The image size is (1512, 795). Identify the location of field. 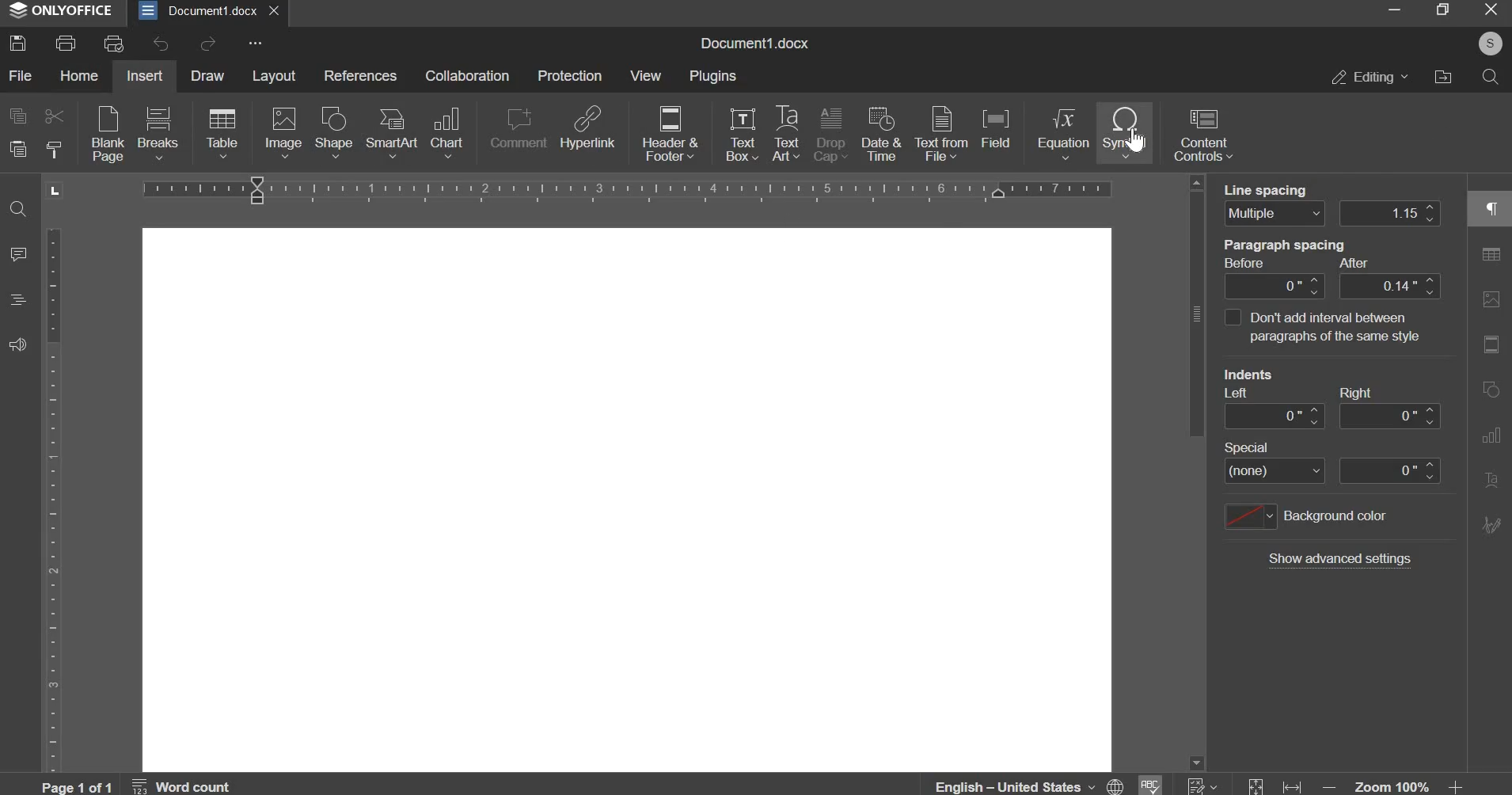
(994, 127).